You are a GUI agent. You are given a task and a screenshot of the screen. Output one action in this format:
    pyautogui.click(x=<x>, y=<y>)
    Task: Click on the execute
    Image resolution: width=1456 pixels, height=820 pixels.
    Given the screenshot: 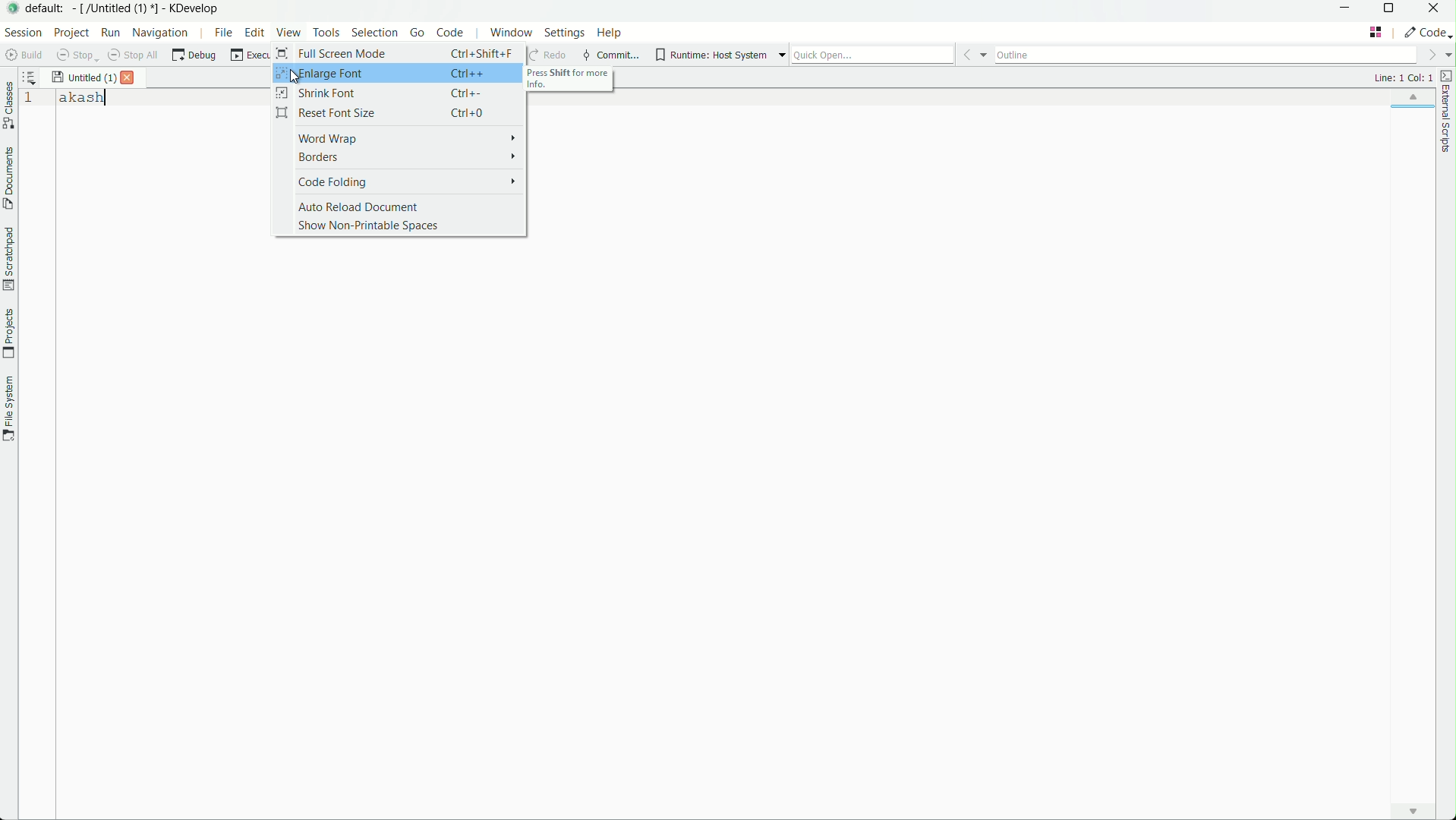 What is the action you would take?
    pyautogui.click(x=250, y=58)
    